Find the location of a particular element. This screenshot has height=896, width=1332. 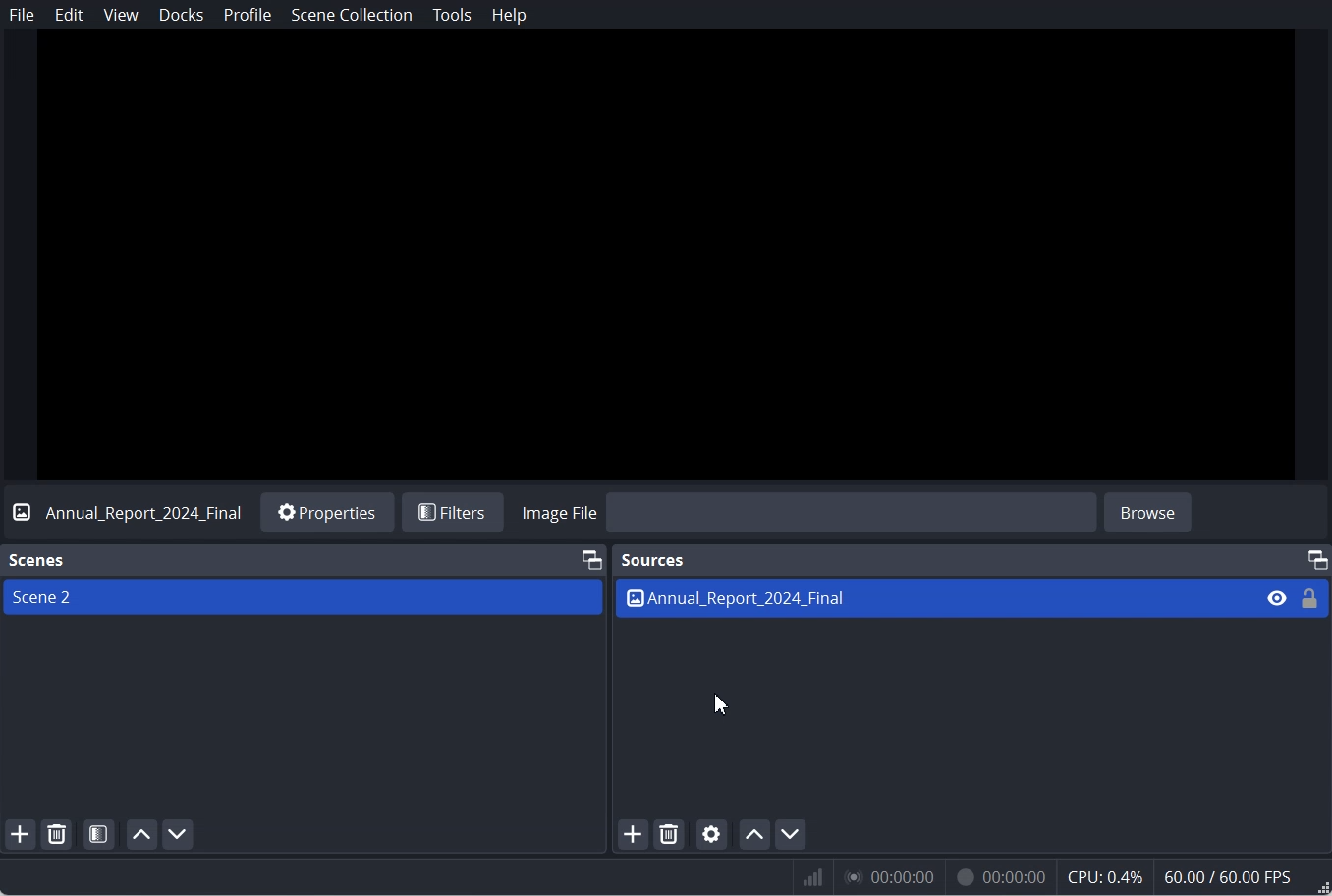

Numeric results is located at coordinates (1061, 876).